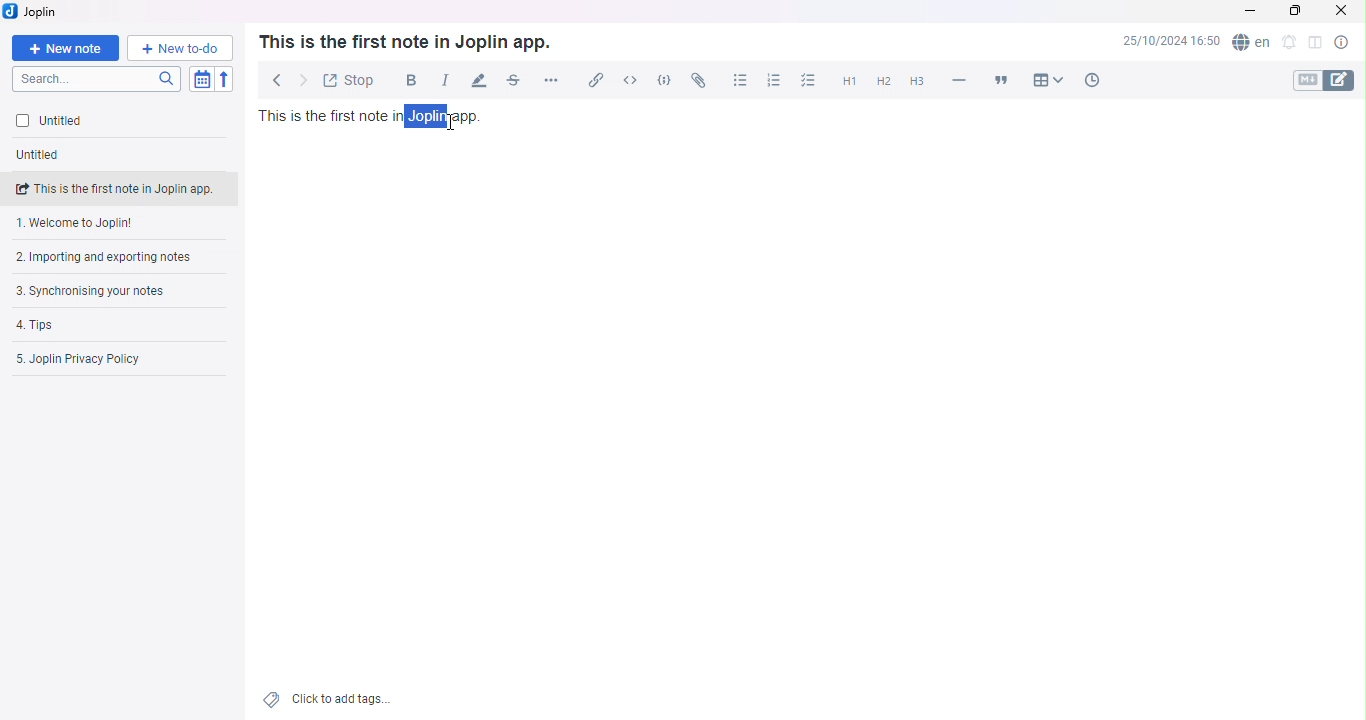 This screenshot has width=1366, height=720. What do you see at coordinates (348, 79) in the screenshot?
I see `Toggle external editing` at bounding box center [348, 79].